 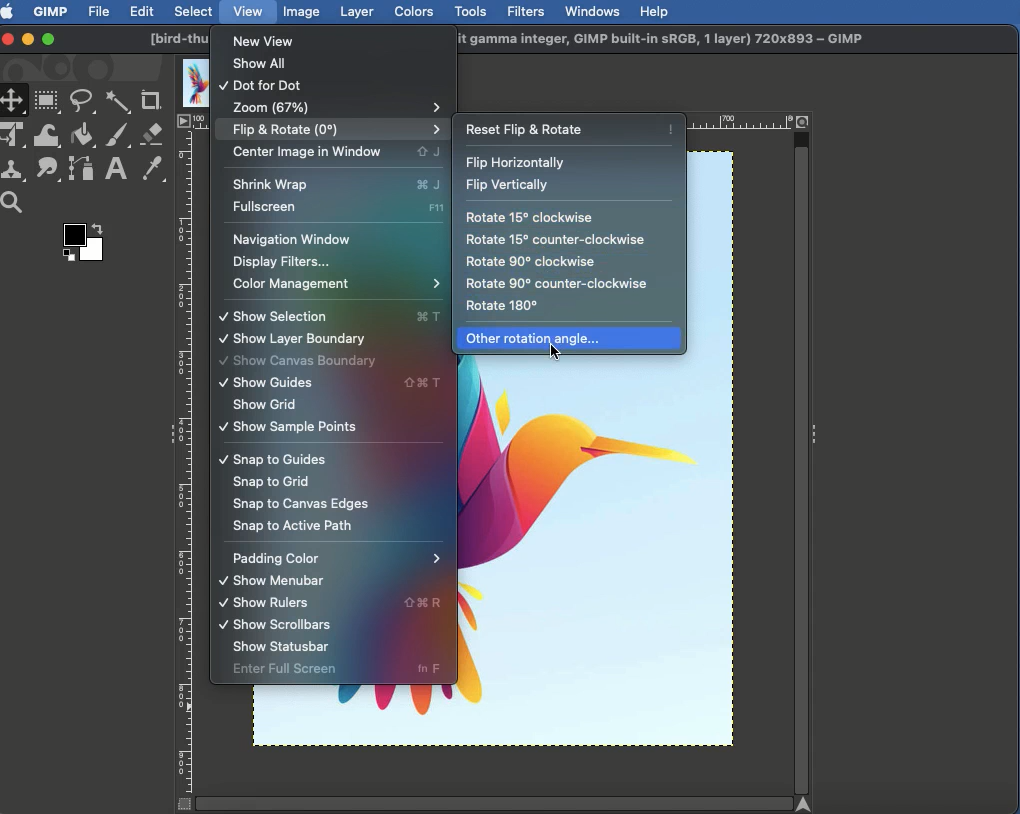 What do you see at coordinates (327, 131) in the screenshot?
I see `Fil and rotate` at bounding box center [327, 131].